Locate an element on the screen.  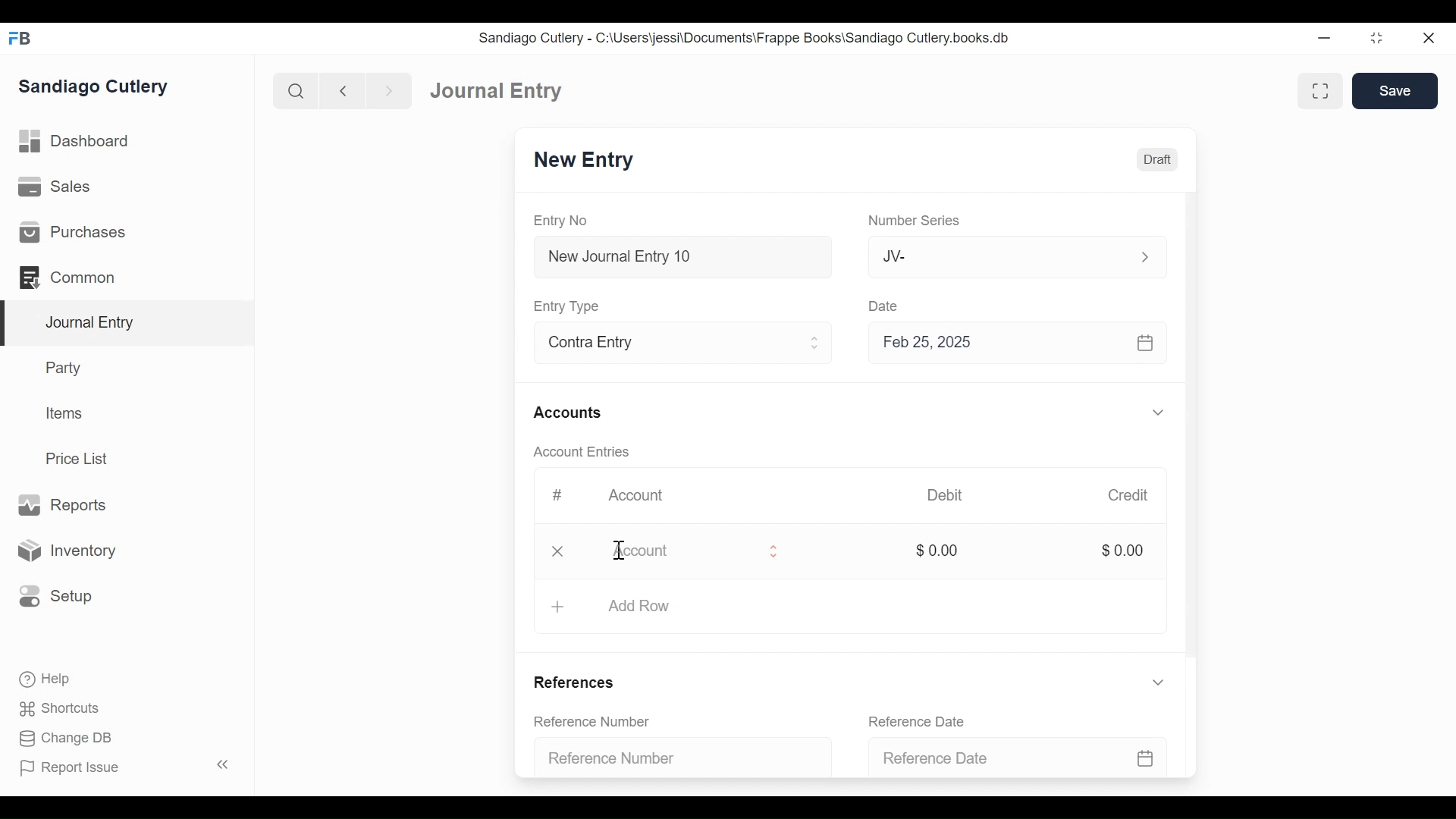
Accounts is located at coordinates (570, 413).